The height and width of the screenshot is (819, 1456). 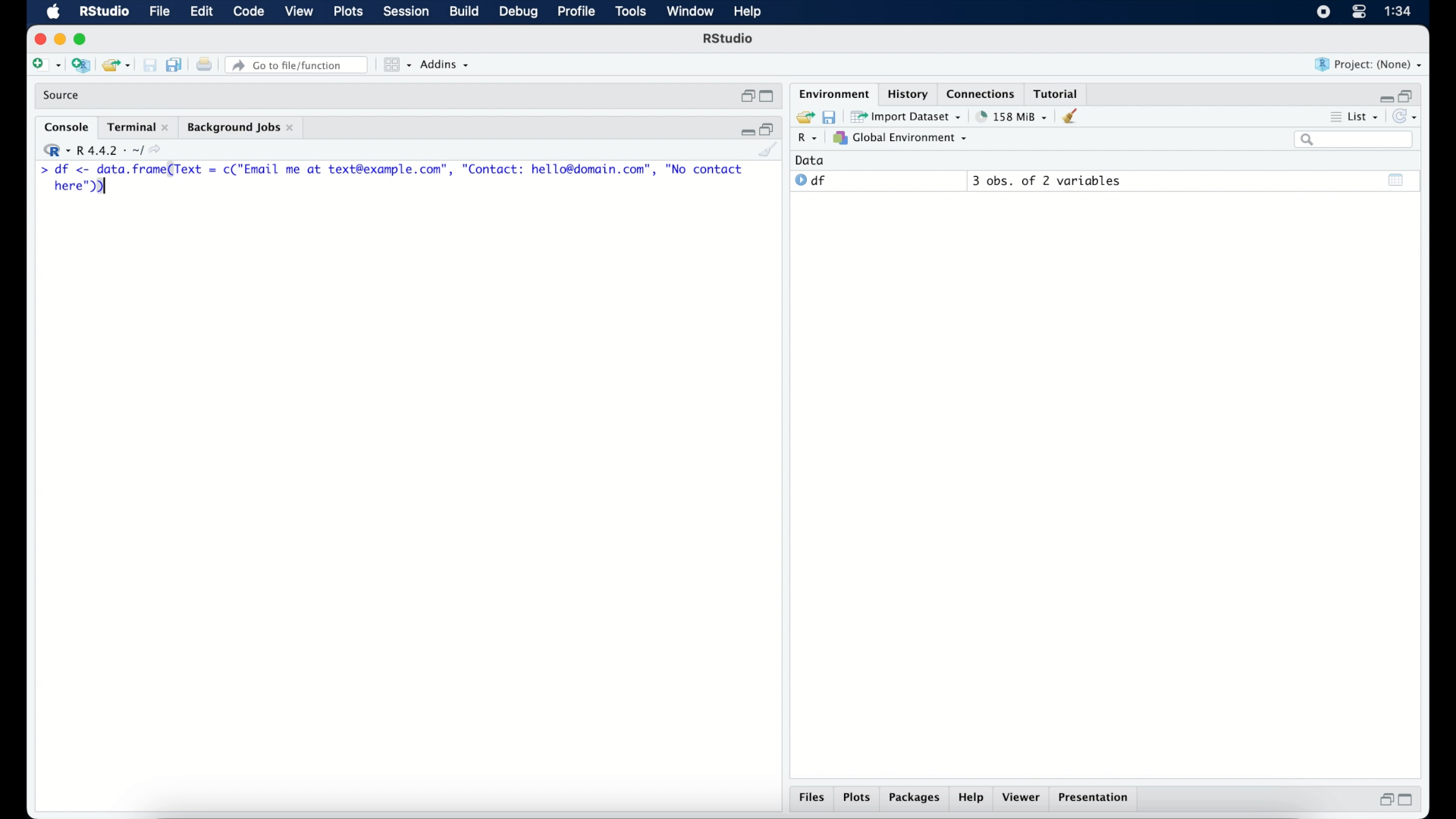 I want to click on R 4.4.2, so click(x=105, y=150).